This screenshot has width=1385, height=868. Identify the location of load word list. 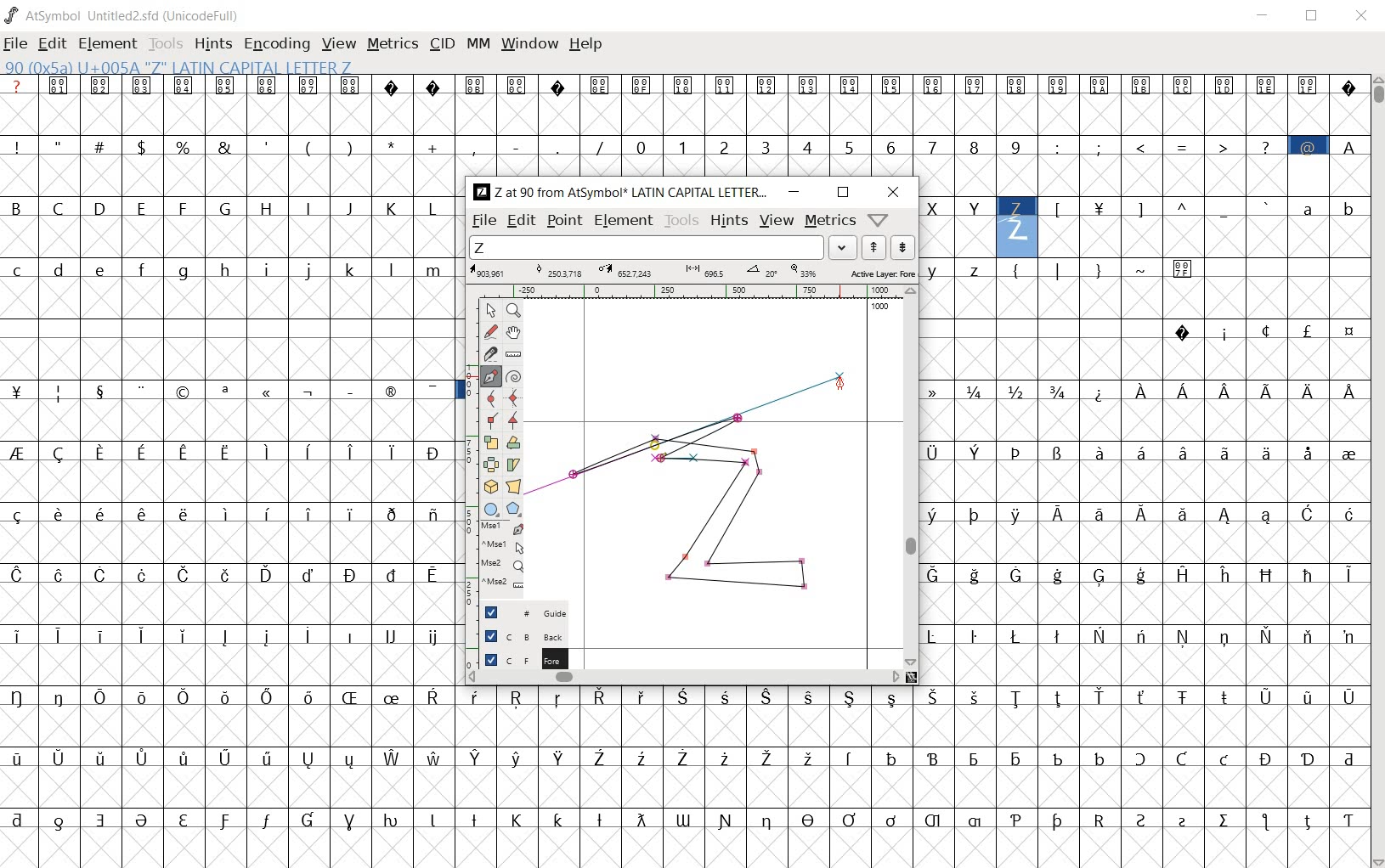
(665, 247).